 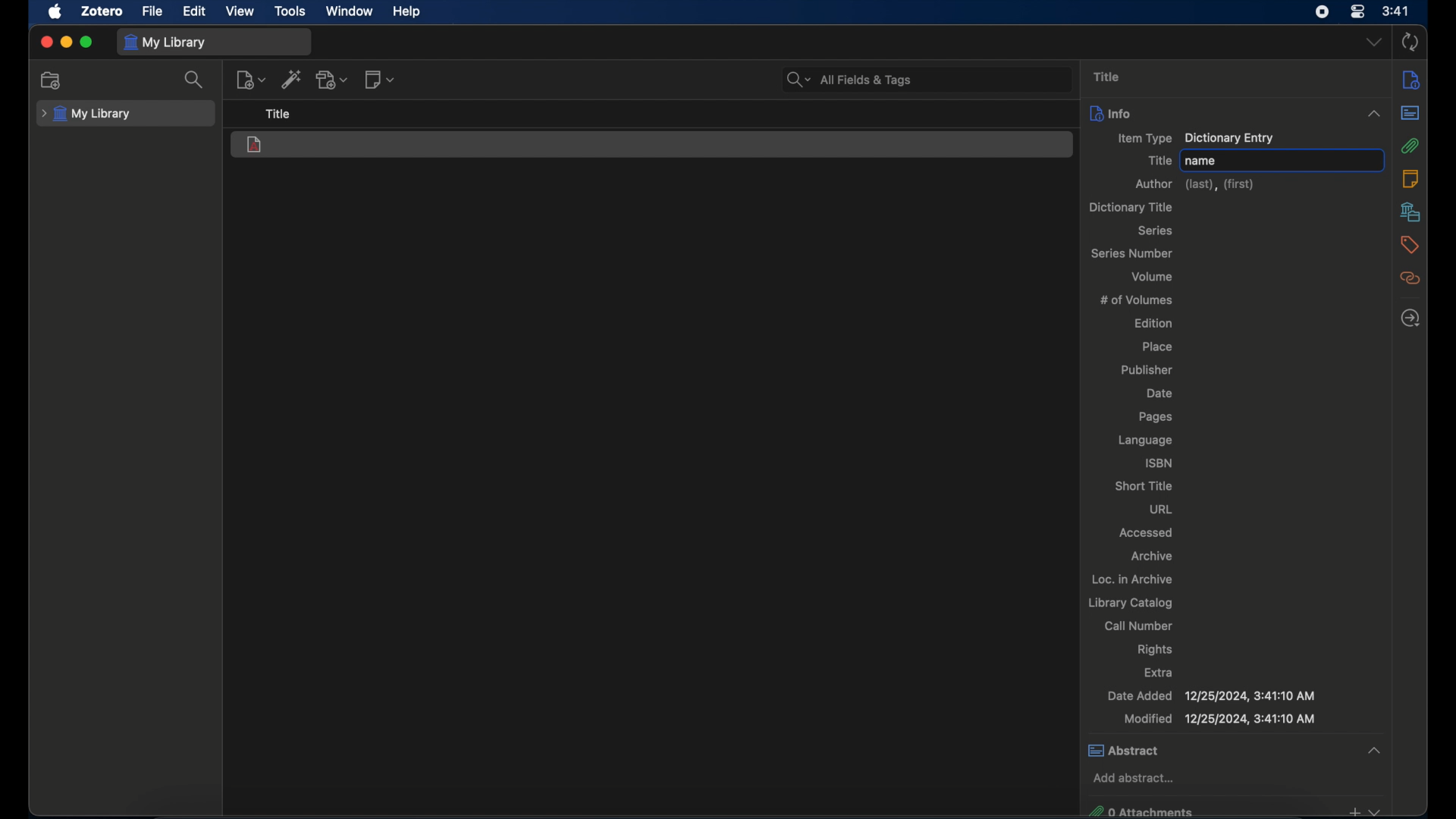 What do you see at coordinates (1144, 485) in the screenshot?
I see `short title` at bounding box center [1144, 485].